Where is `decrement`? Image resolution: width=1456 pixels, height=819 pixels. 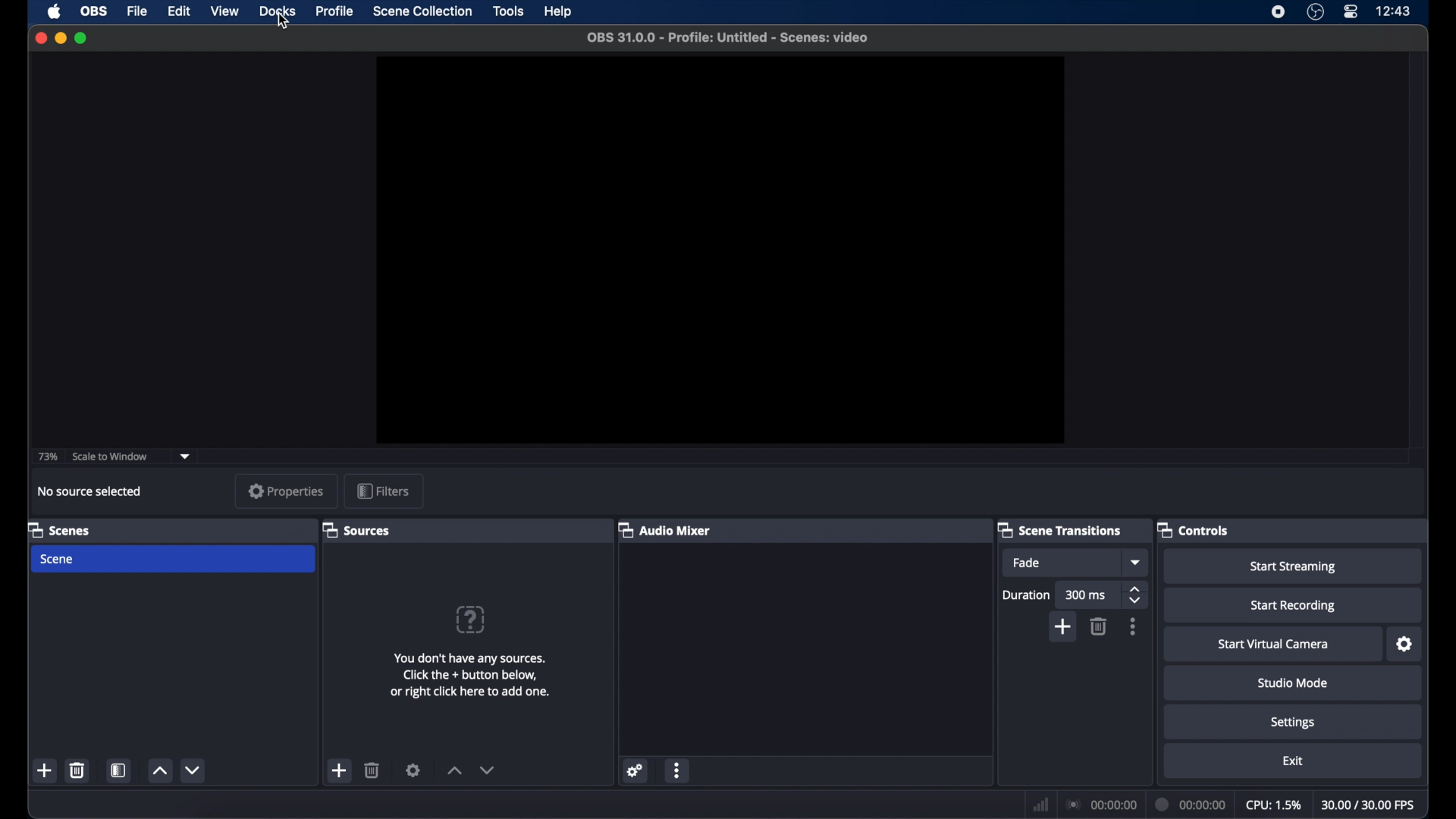 decrement is located at coordinates (194, 770).